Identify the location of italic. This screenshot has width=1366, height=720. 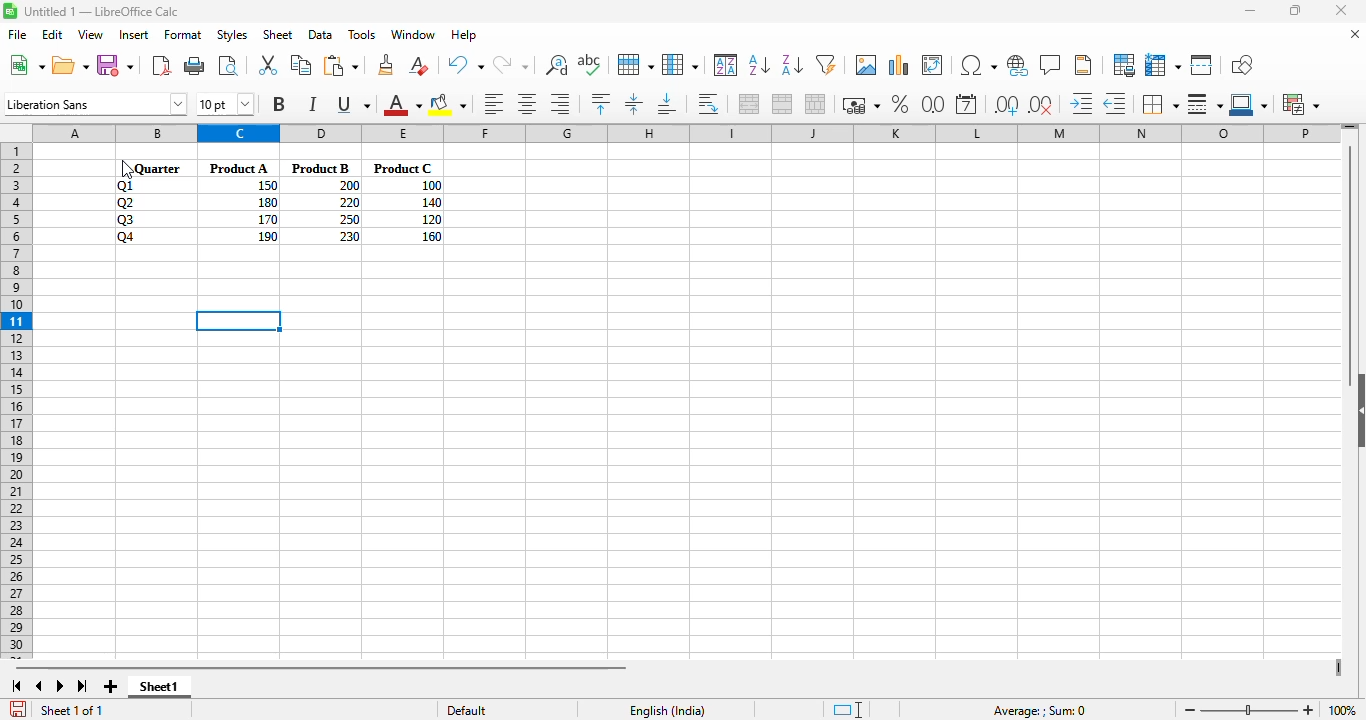
(312, 104).